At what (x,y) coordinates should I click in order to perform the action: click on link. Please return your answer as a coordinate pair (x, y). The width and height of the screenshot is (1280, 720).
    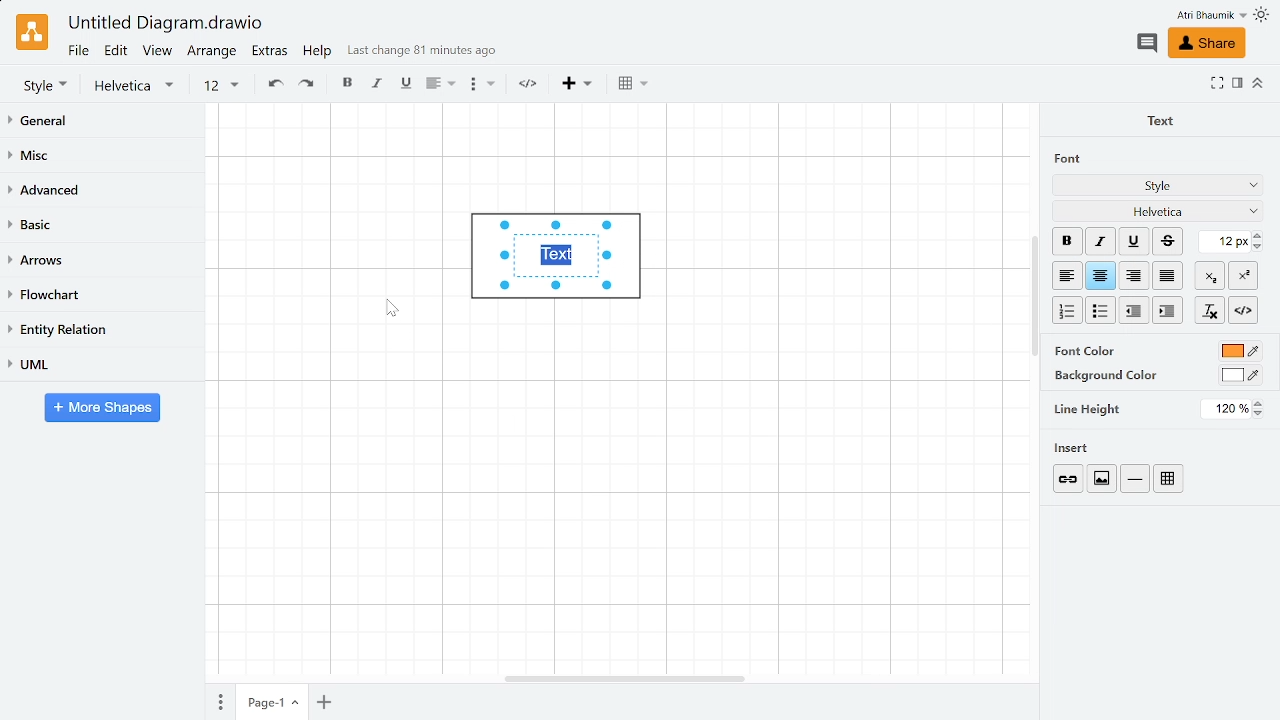
    Looking at the image, I should click on (532, 85).